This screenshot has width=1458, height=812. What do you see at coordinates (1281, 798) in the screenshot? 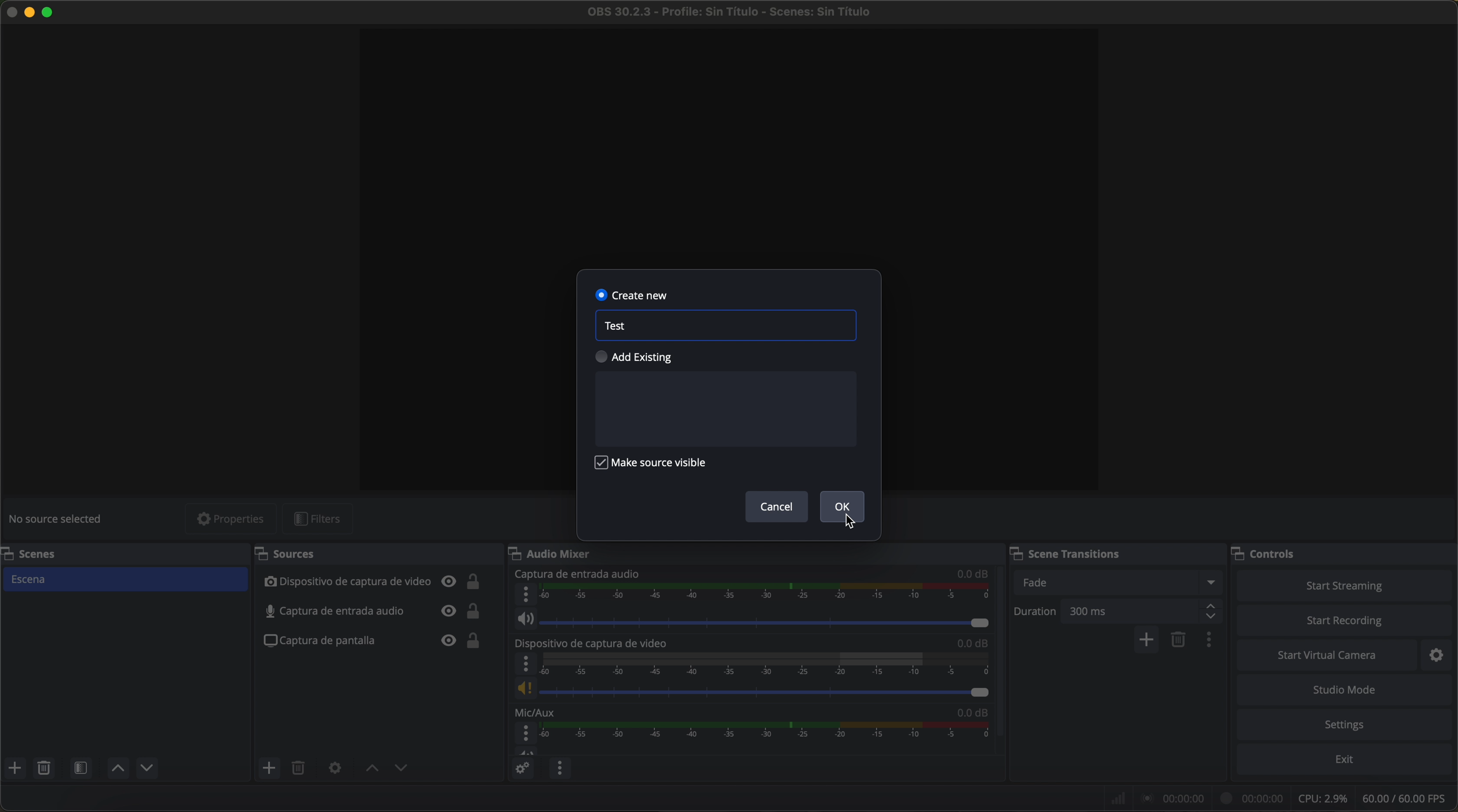
I see `data` at bounding box center [1281, 798].